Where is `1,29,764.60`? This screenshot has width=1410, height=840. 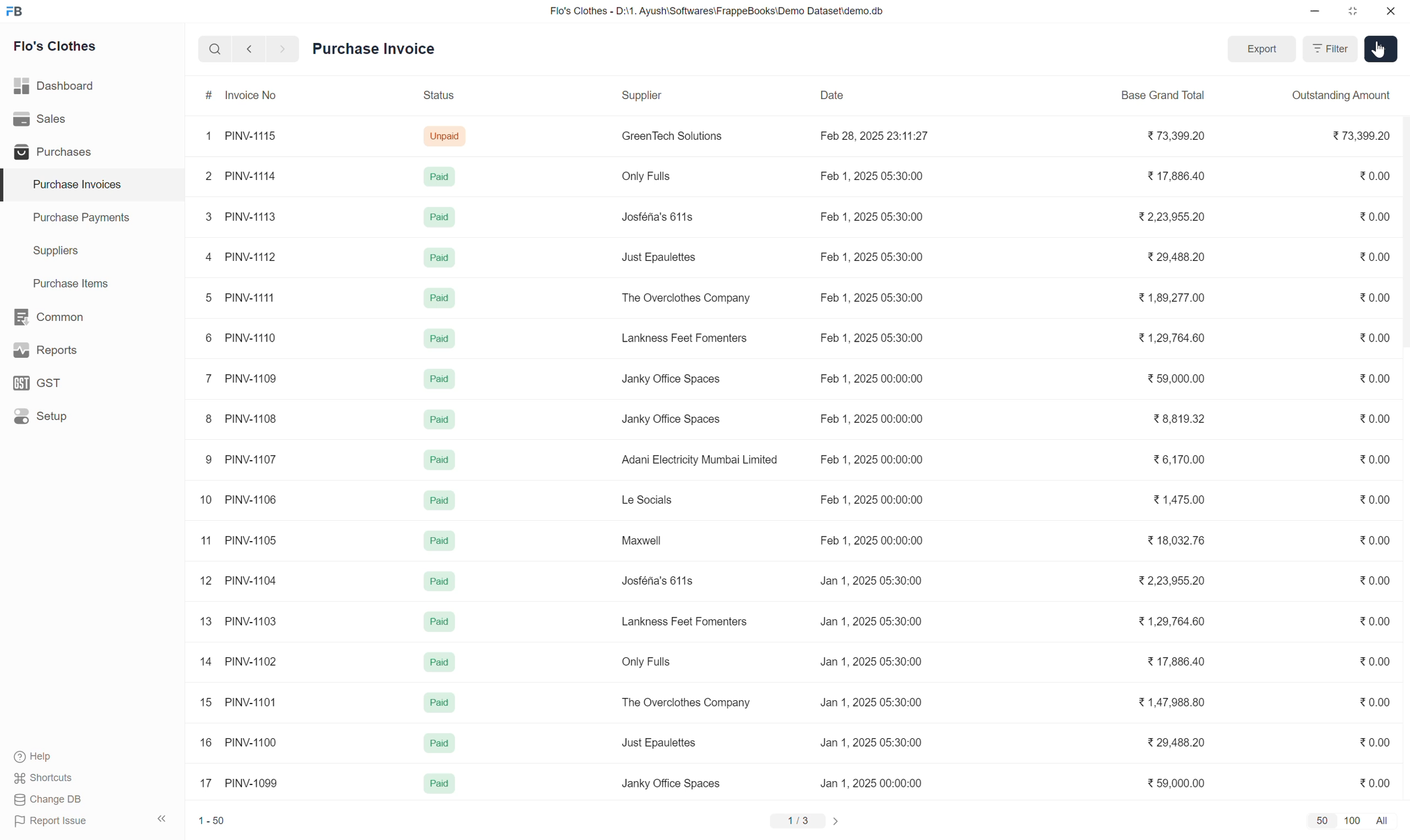
1,29,764.60 is located at coordinates (1171, 620).